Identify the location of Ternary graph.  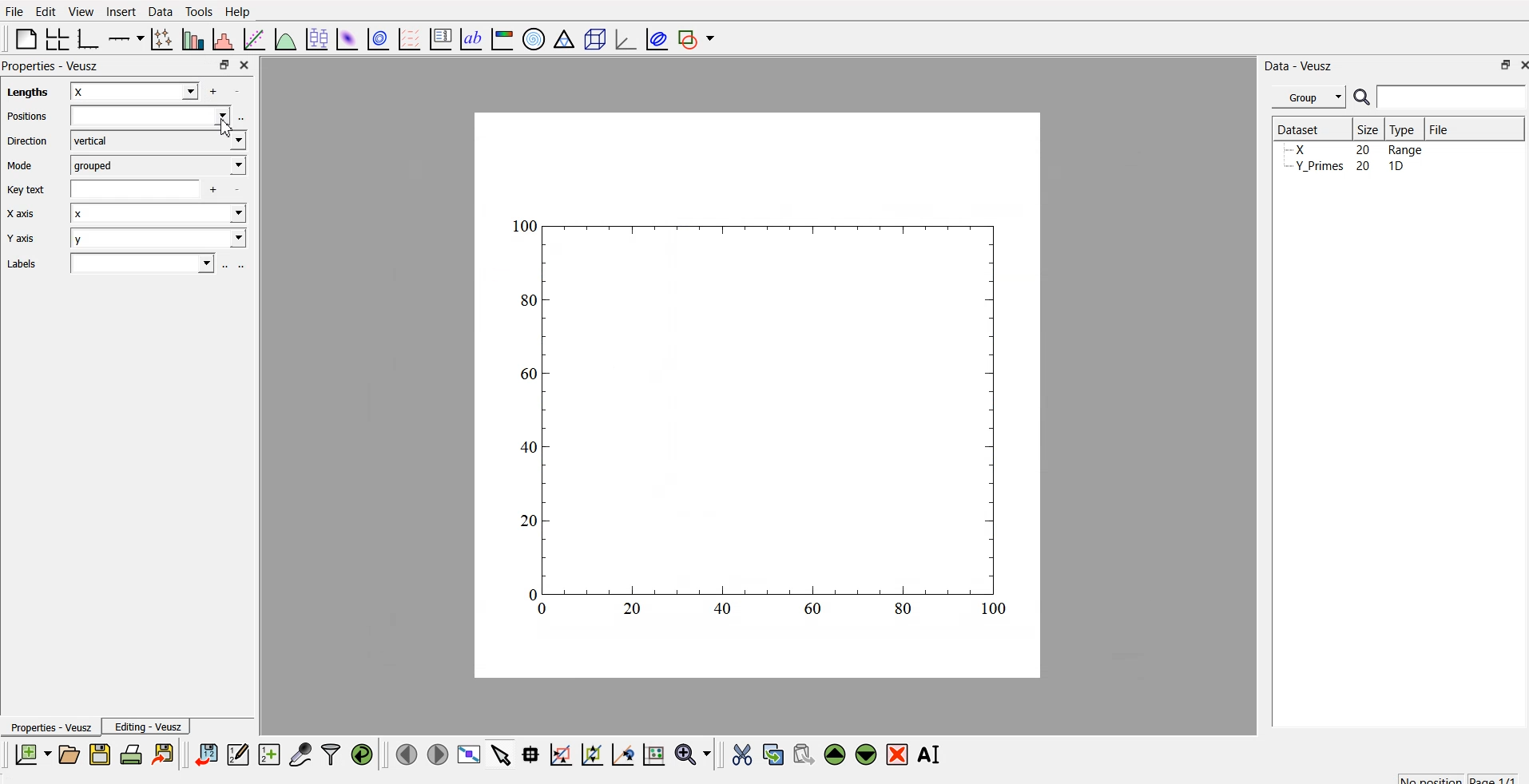
(565, 38).